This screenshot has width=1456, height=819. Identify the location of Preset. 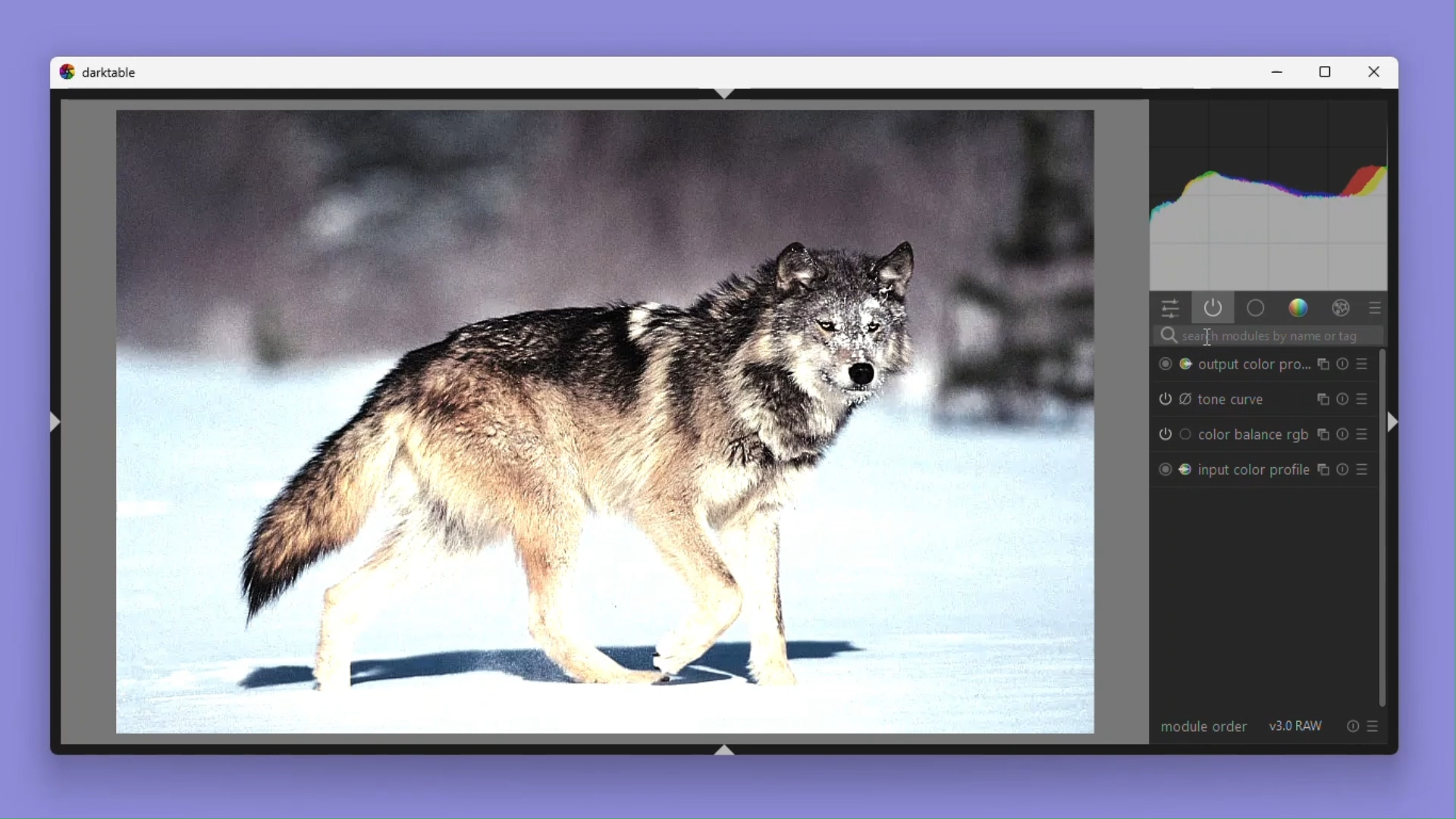
(1362, 362).